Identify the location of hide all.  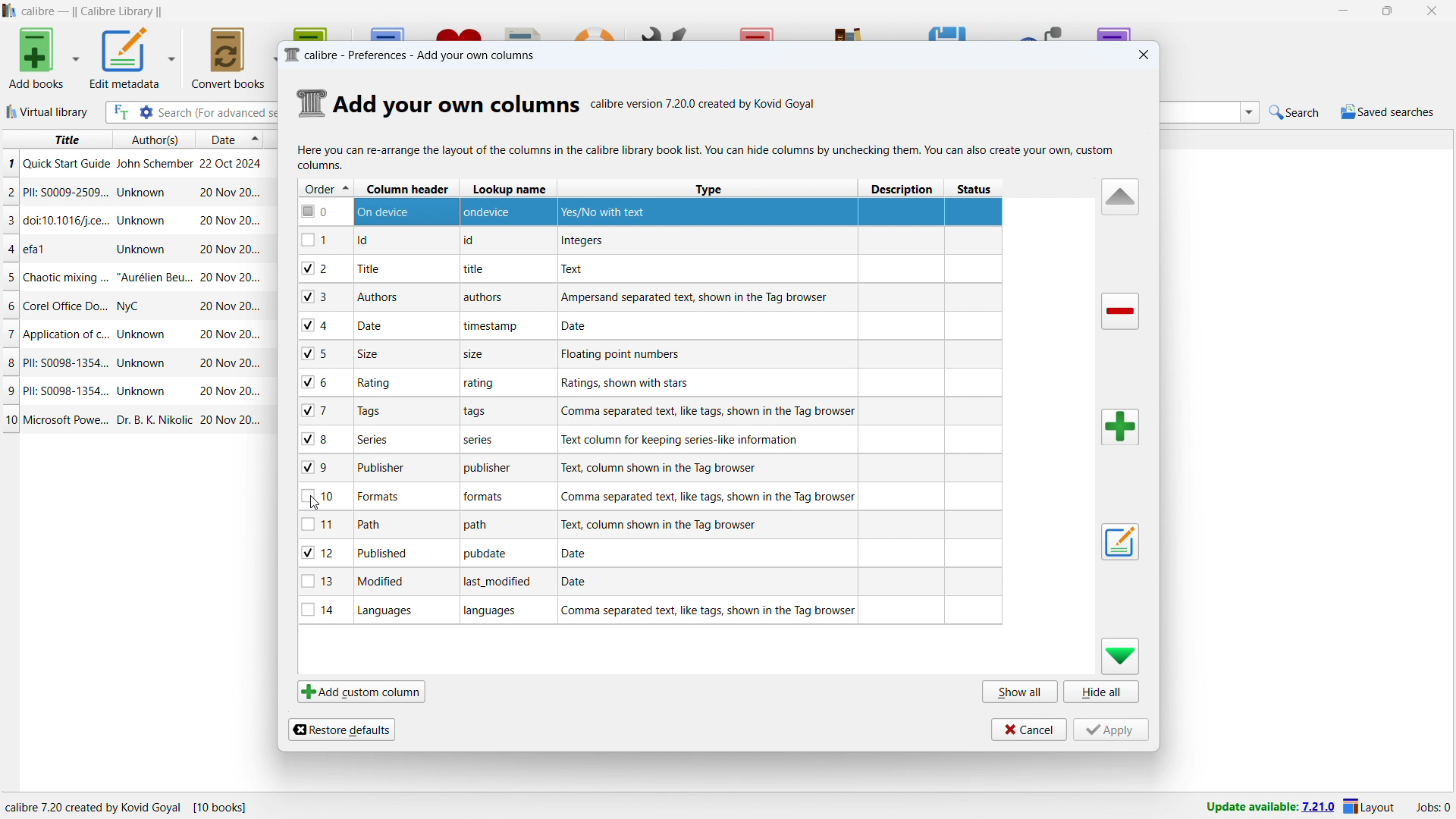
(1103, 692).